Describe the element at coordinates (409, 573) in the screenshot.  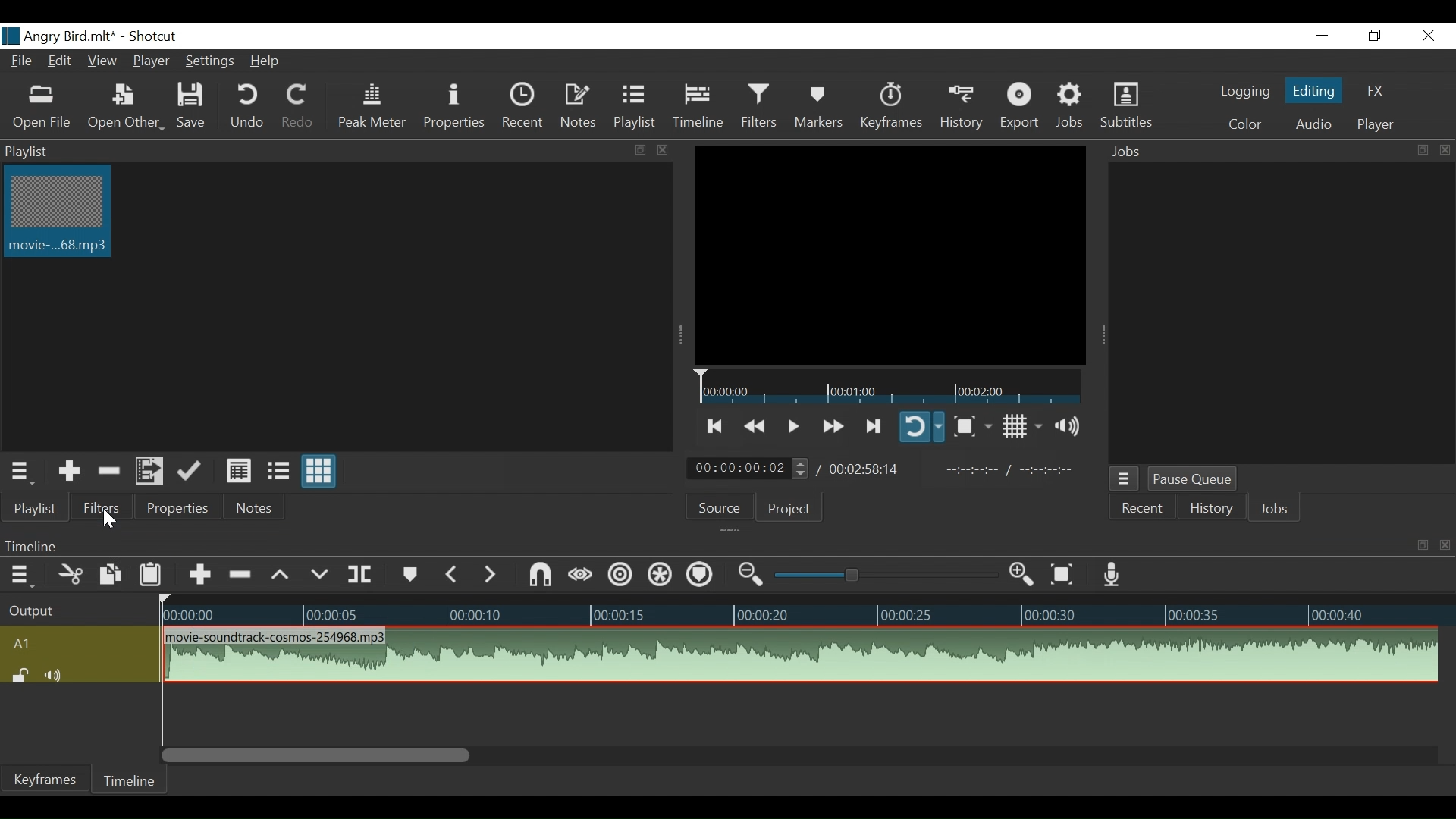
I see `Markers` at that location.